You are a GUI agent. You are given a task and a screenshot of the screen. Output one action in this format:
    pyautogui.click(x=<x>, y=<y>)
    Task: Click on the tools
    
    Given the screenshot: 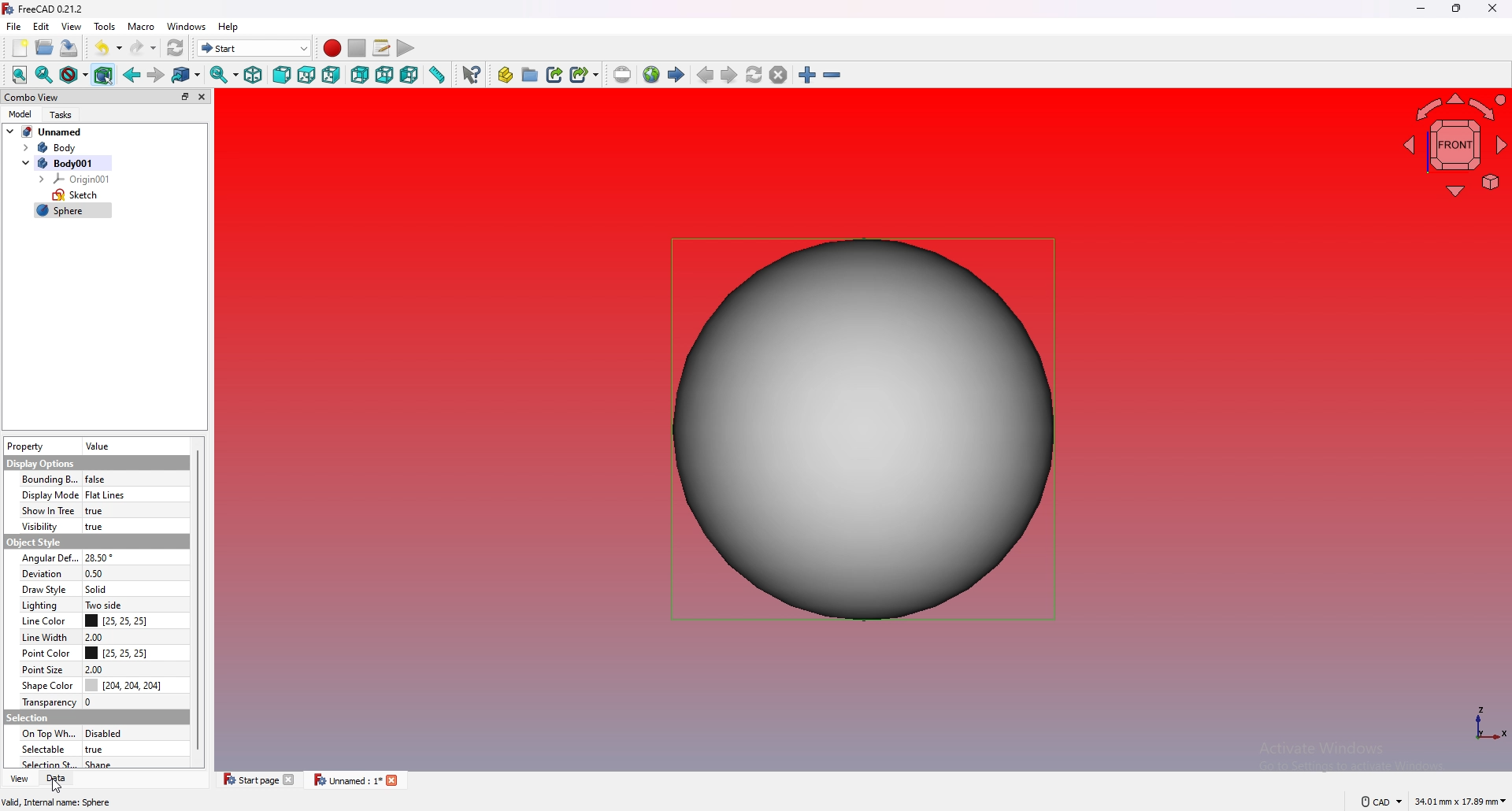 What is the action you would take?
    pyautogui.click(x=106, y=27)
    